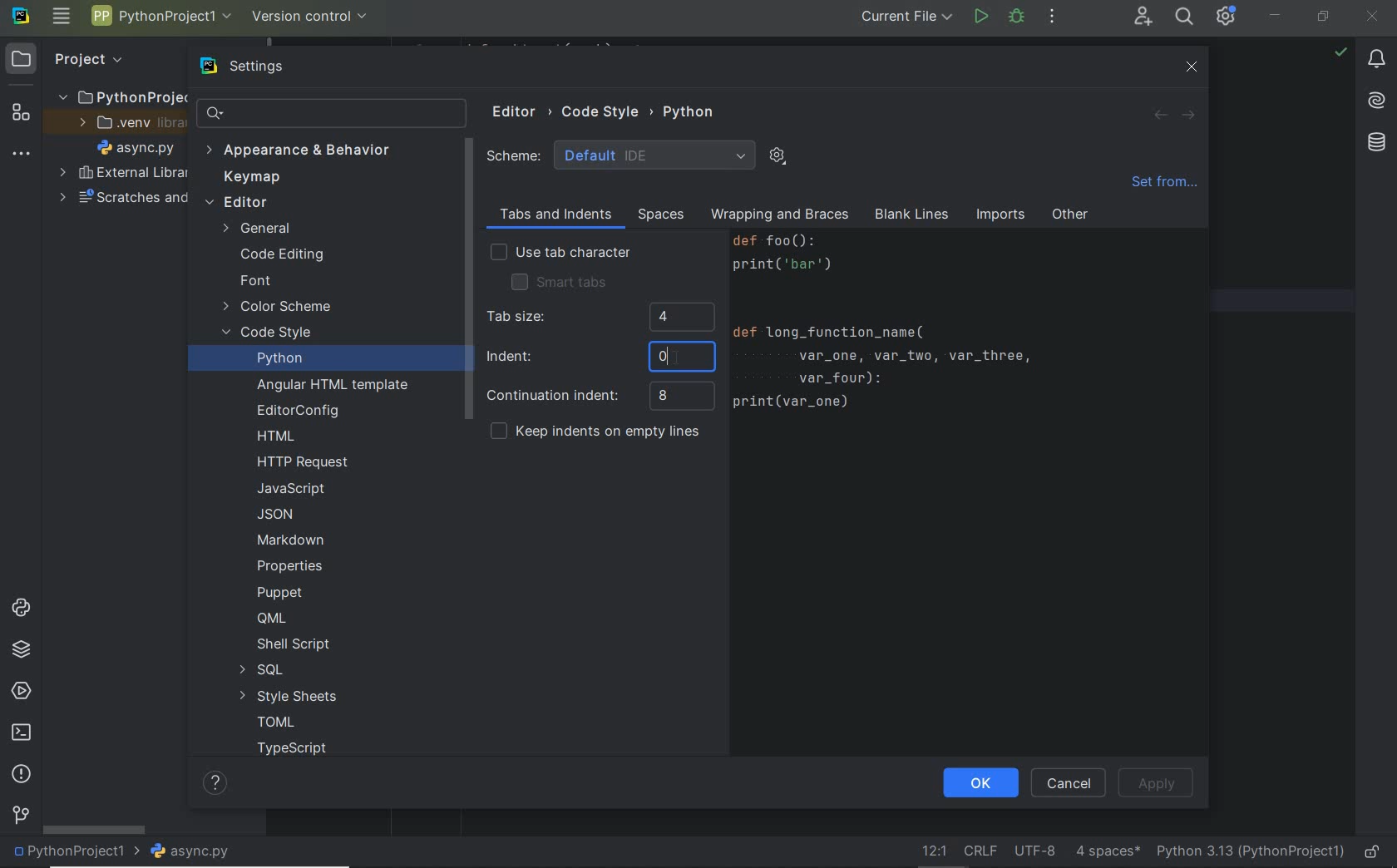 The height and width of the screenshot is (868, 1397). What do you see at coordinates (909, 18) in the screenshot?
I see `current file` at bounding box center [909, 18].